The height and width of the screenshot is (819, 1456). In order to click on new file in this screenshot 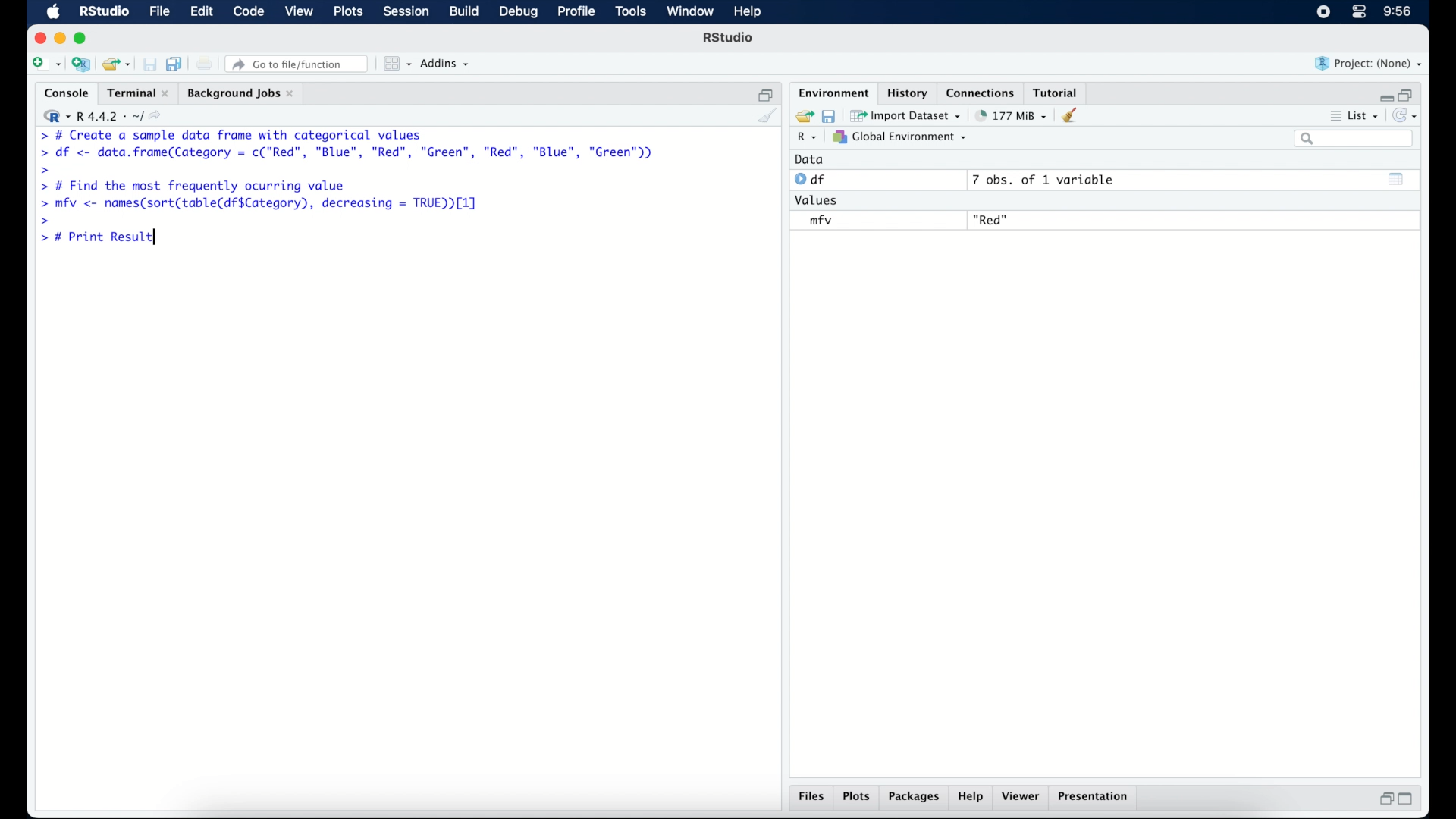, I will do `click(45, 63)`.